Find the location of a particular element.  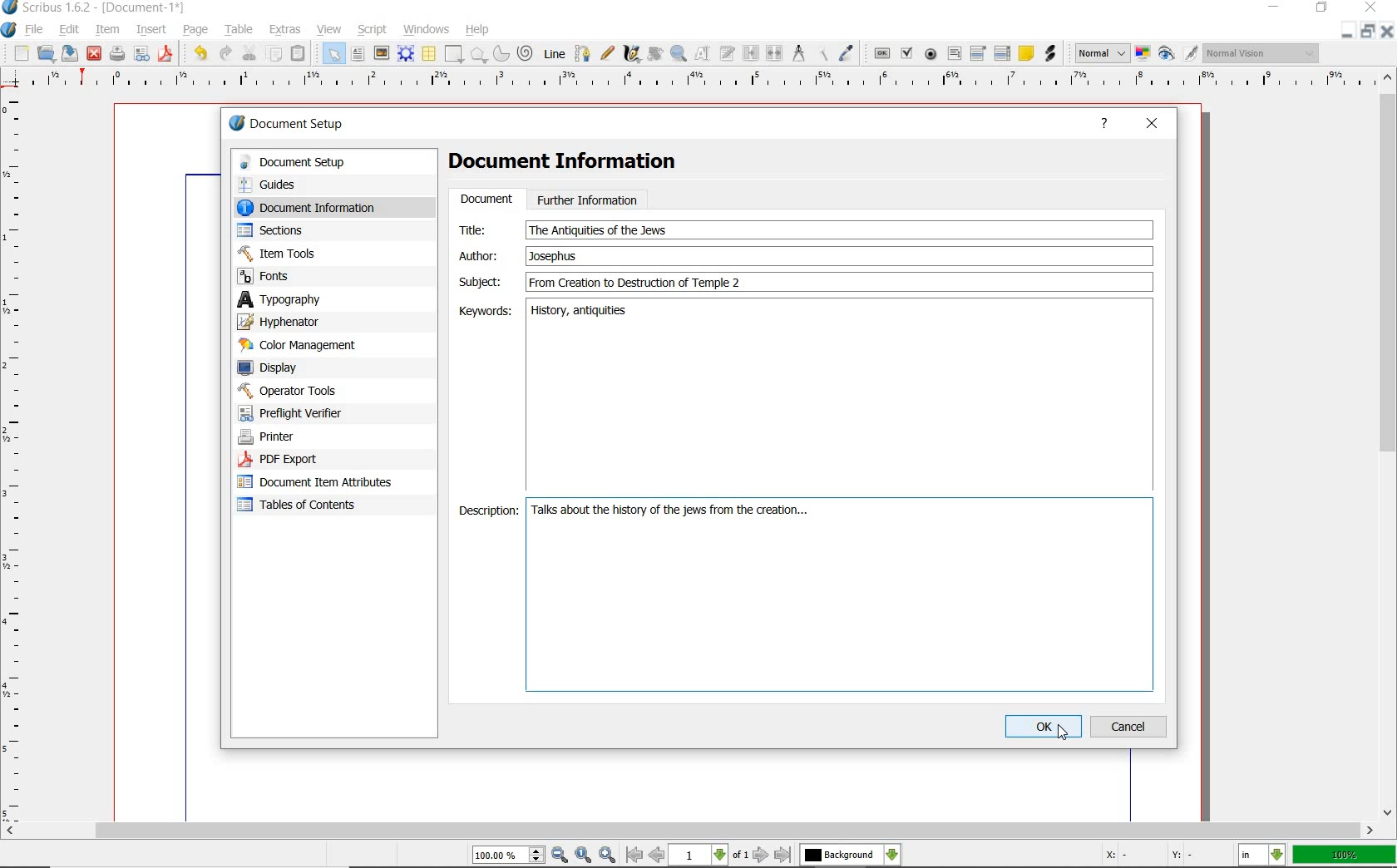

document information is located at coordinates (323, 207).